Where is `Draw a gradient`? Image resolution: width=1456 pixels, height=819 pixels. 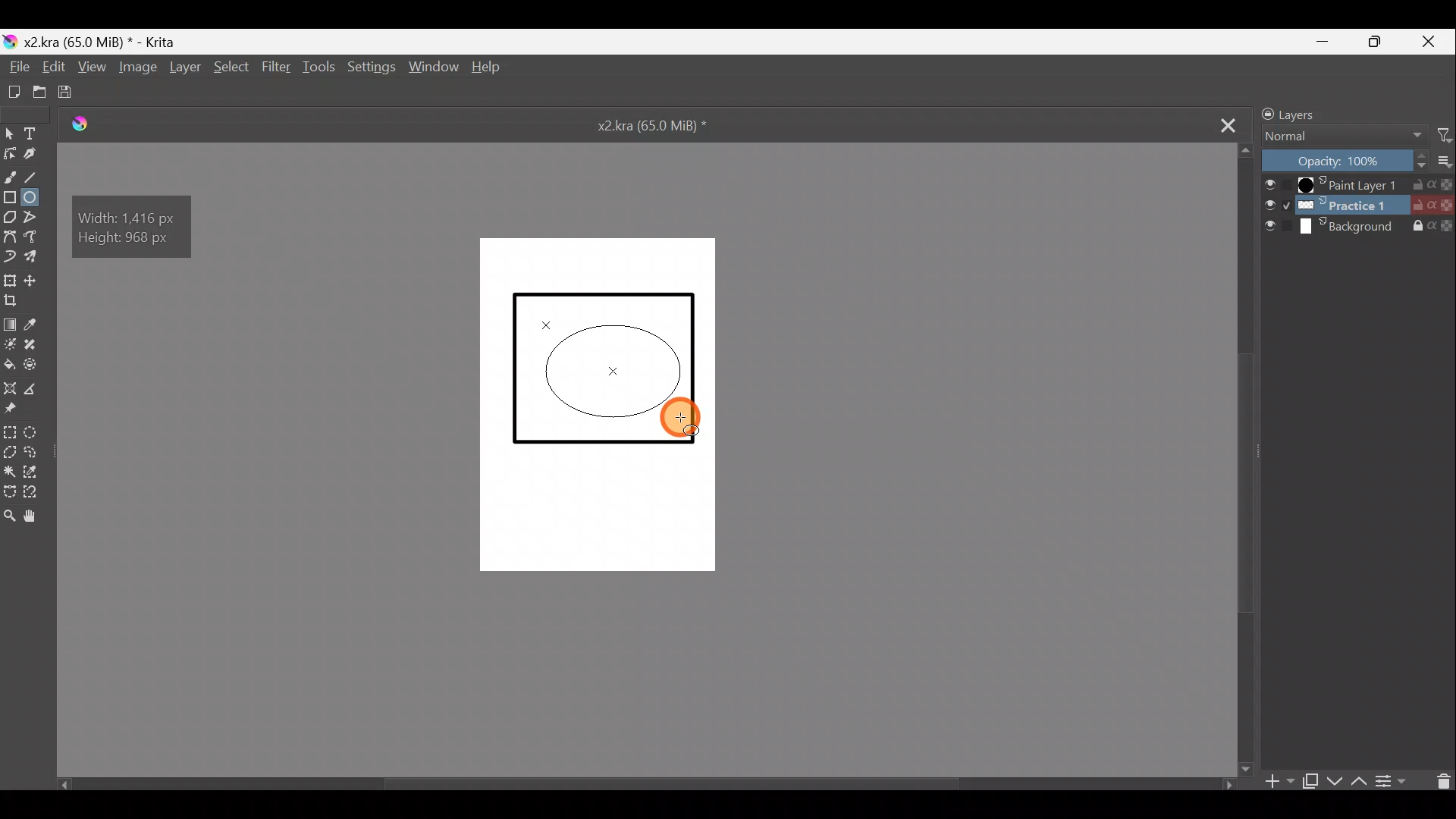
Draw a gradient is located at coordinates (11, 322).